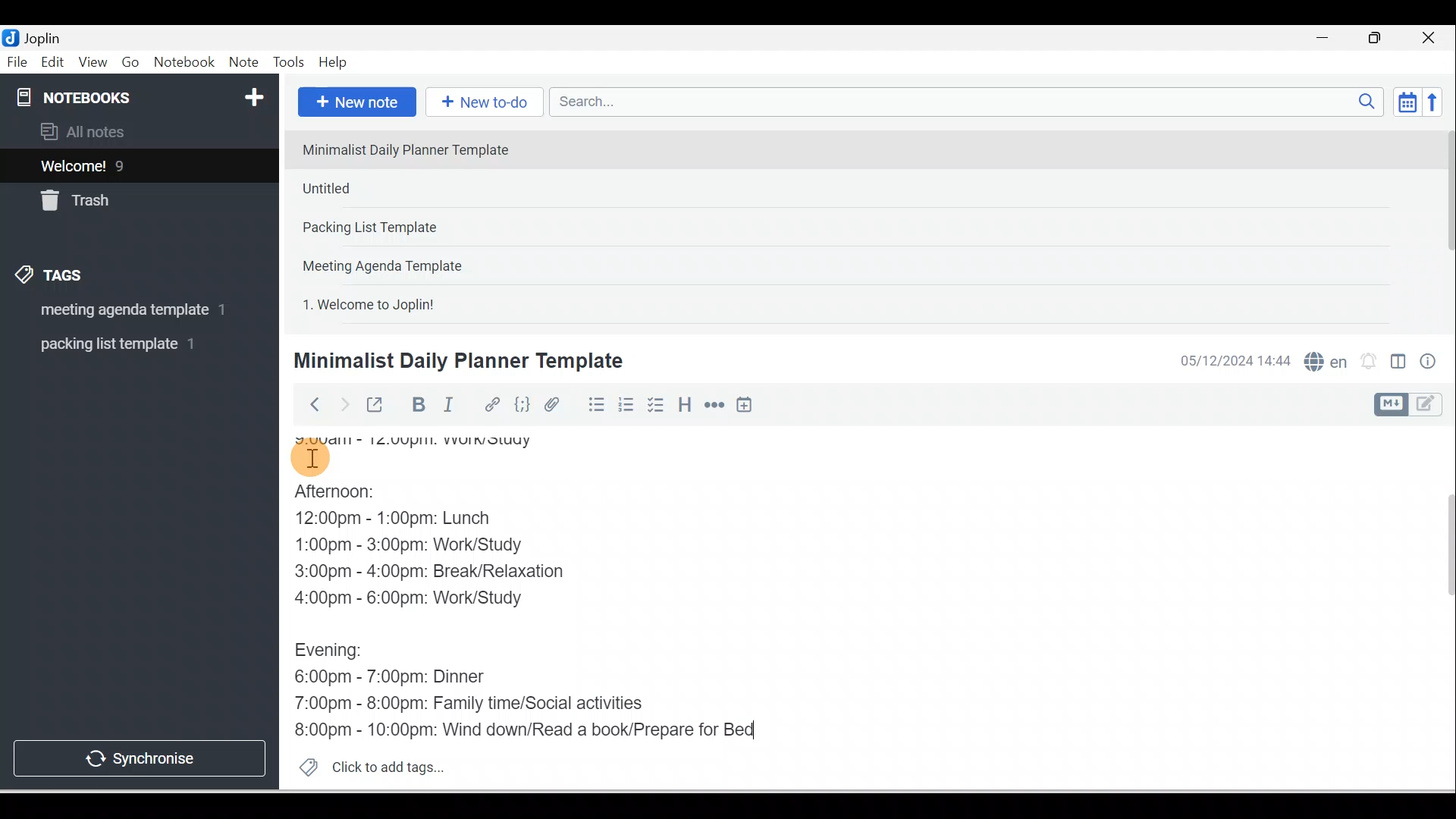  I want to click on Help, so click(334, 63).